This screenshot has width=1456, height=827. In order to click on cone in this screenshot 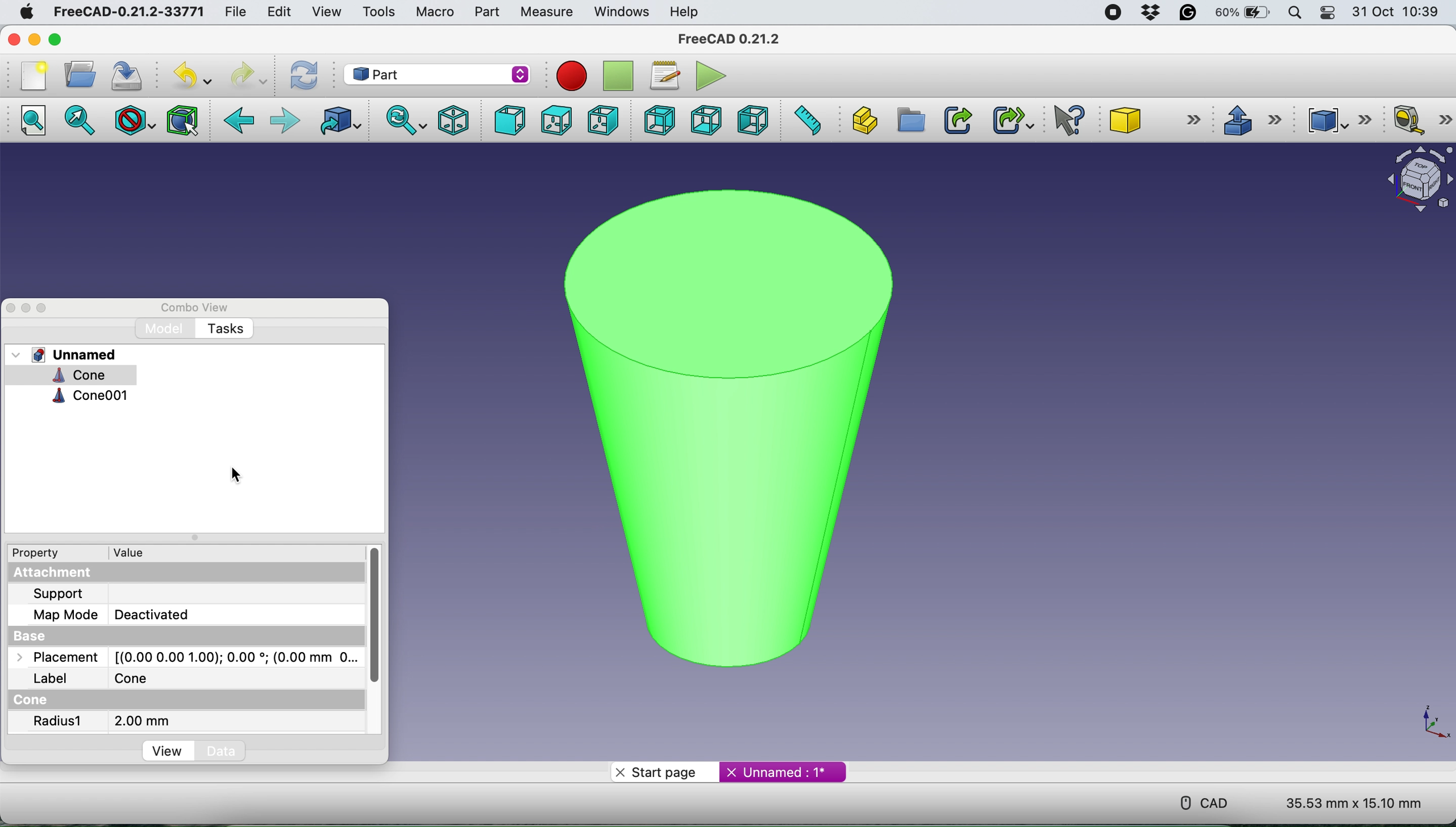, I will do `click(1157, 122)`.